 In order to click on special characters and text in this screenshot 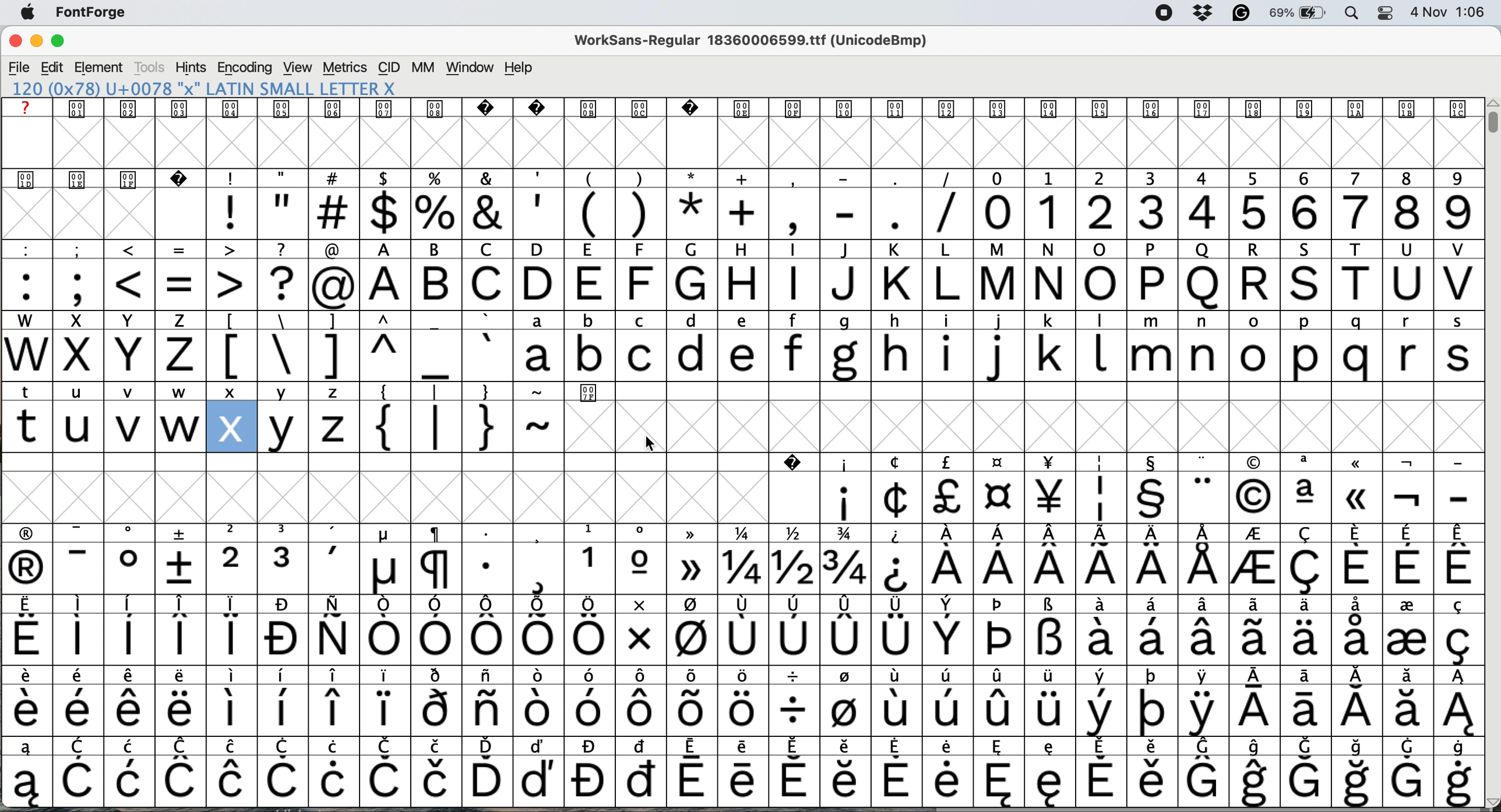, I will do `click(747, 178)`.